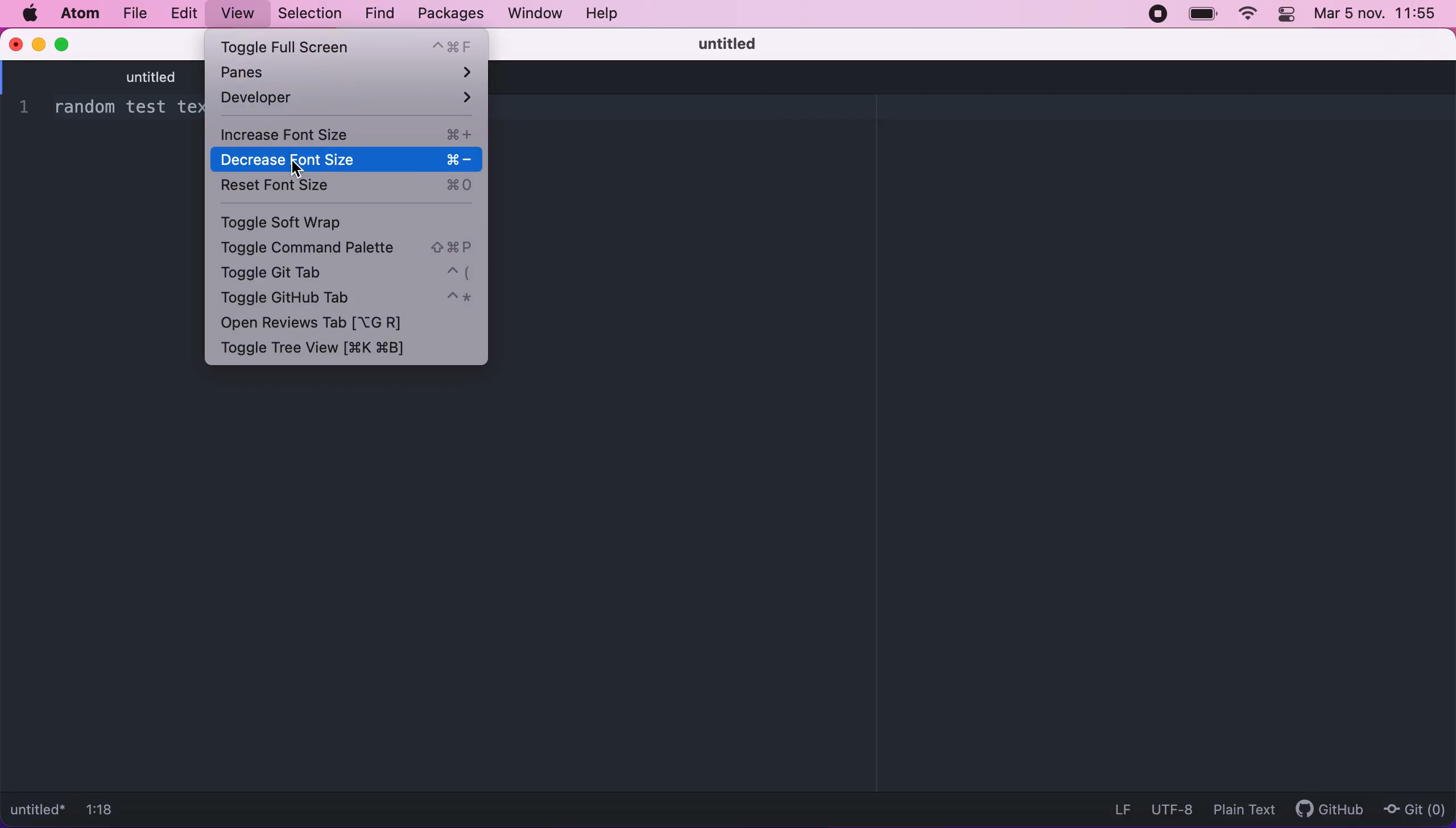 The image size is (1456, 828). I want to click on github, so click(1330, 808).